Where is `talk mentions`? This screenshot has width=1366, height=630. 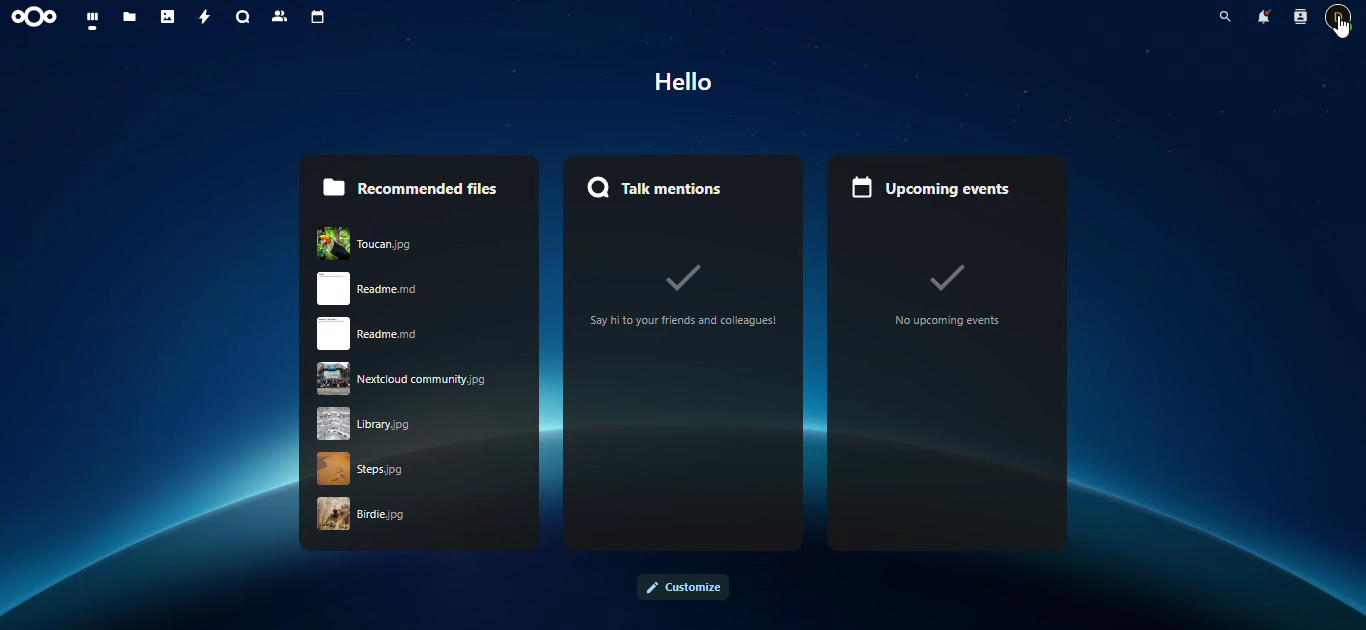 talk mentions is located at coordinates (672, 186).